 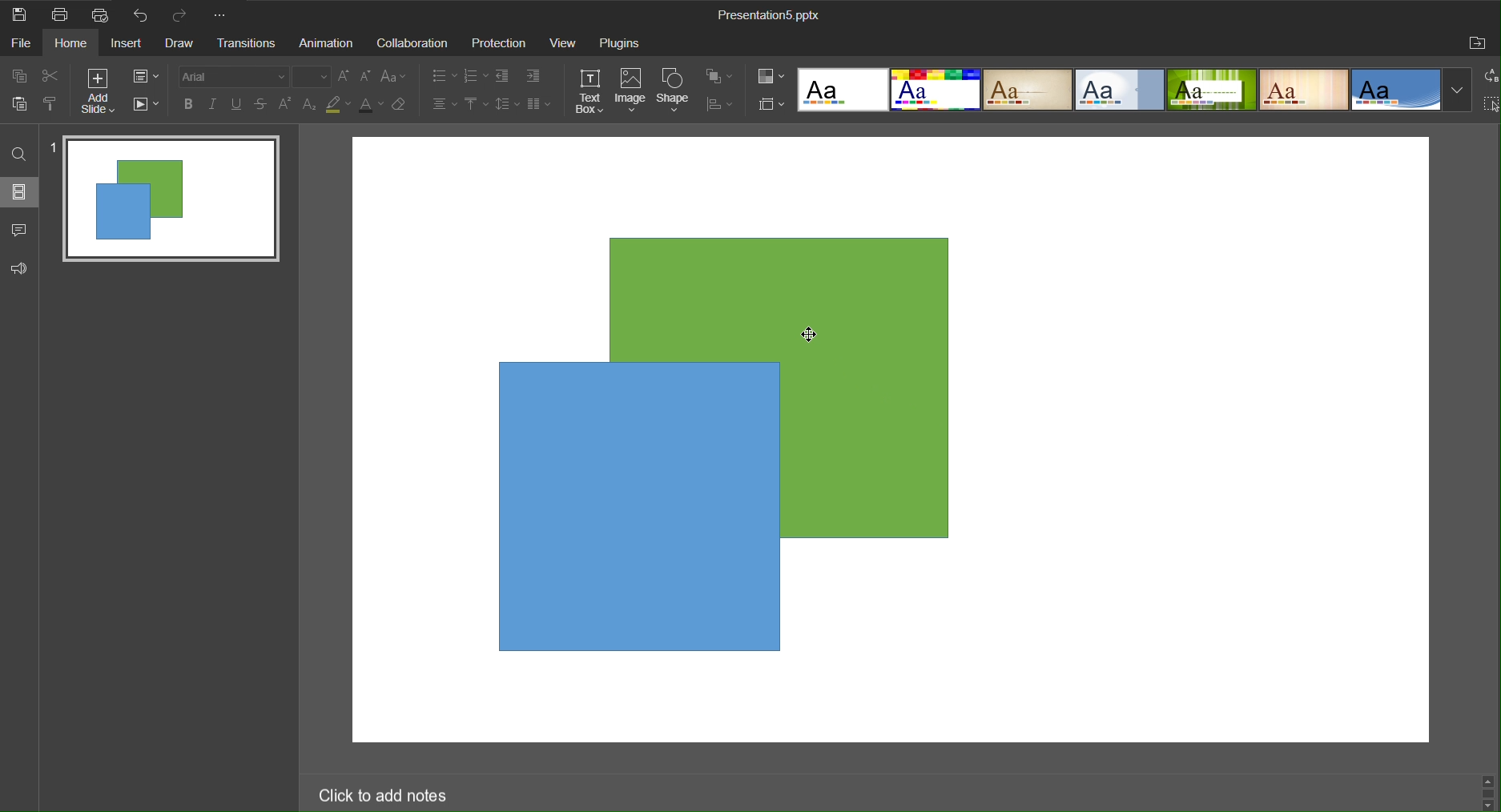 What do you see at coordinates (410, 108) in the screenshot?
I see `Delete Style` at bounding box center [410, 108].